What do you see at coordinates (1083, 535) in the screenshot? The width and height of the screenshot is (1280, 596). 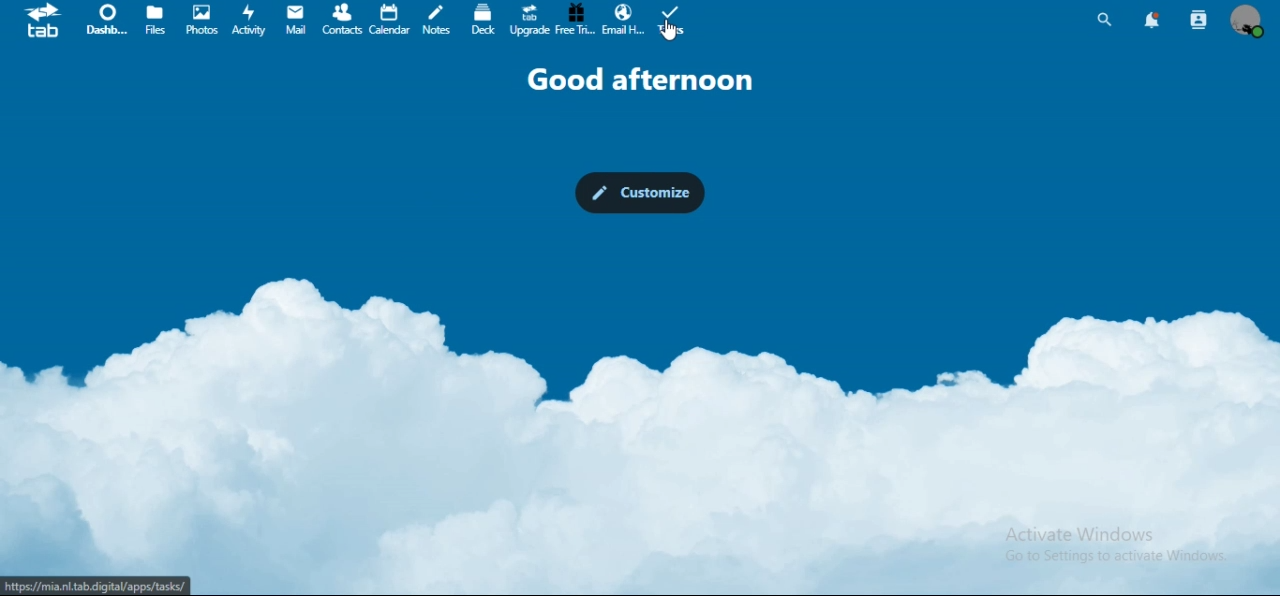 I see `Activate Windows` at bounding box center [1083, 535].